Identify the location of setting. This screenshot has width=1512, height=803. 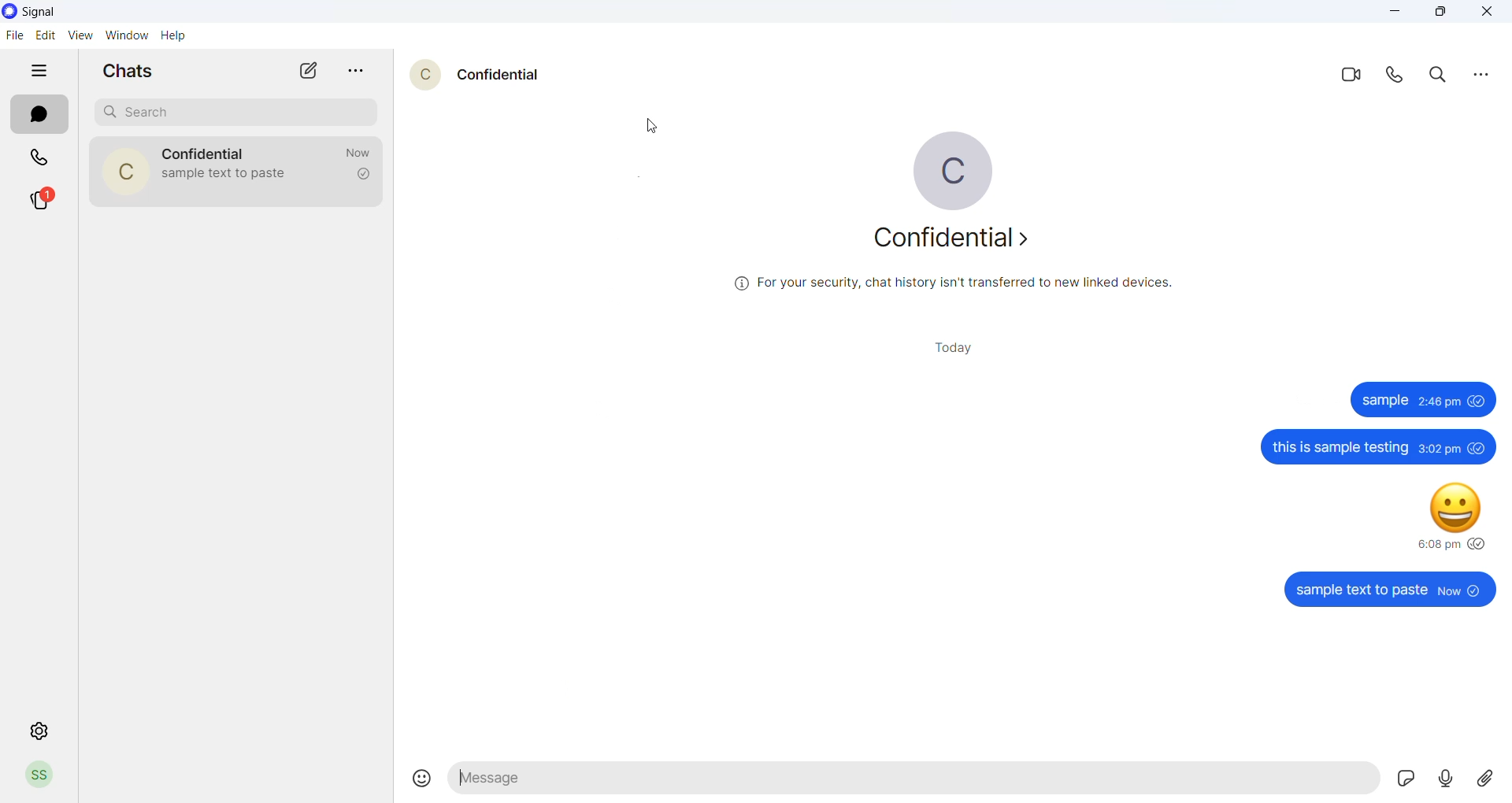
(35, 731).